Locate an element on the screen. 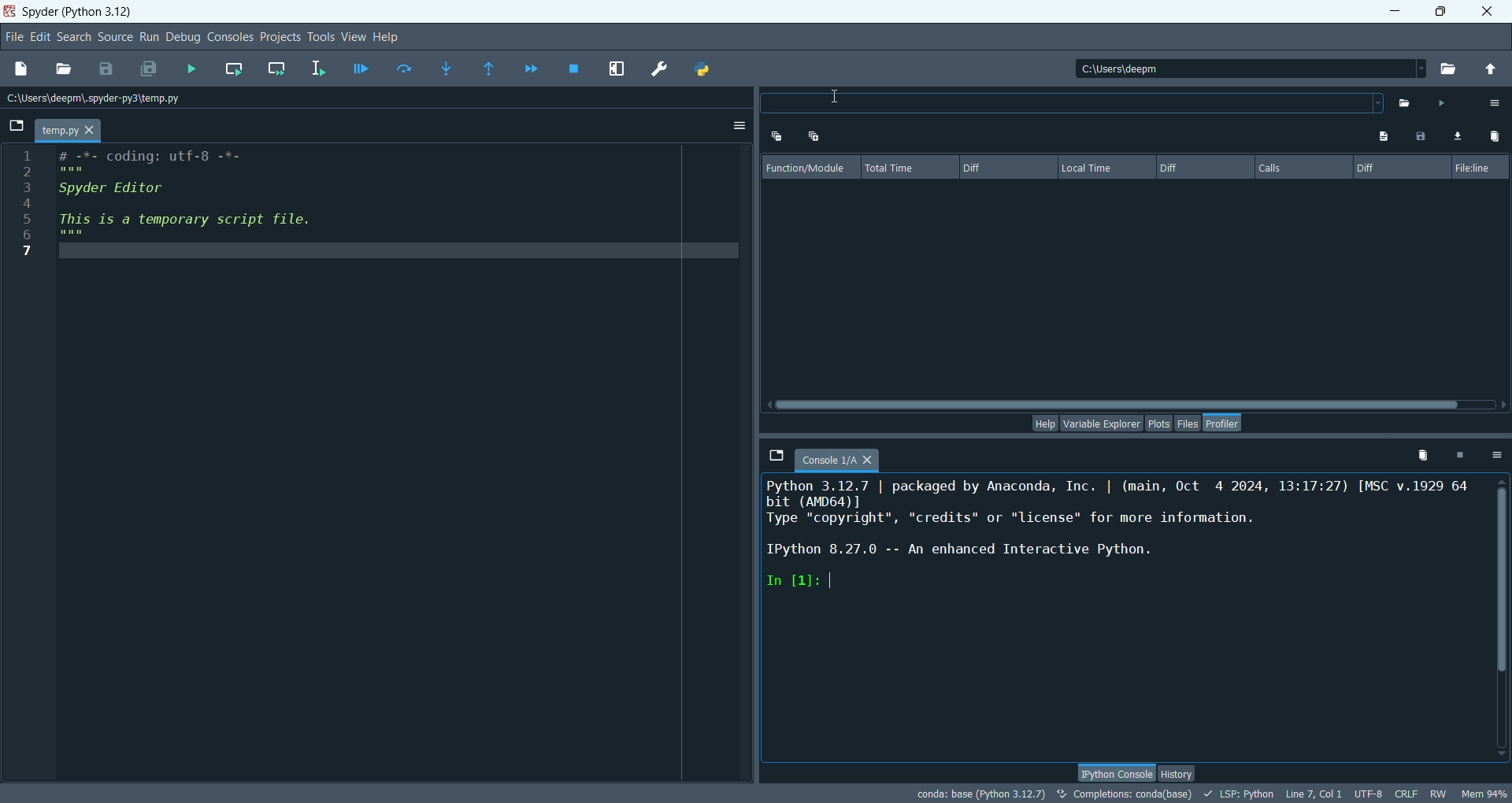 The image size is (1512, 803). options is located at coordinates (1495, 457).